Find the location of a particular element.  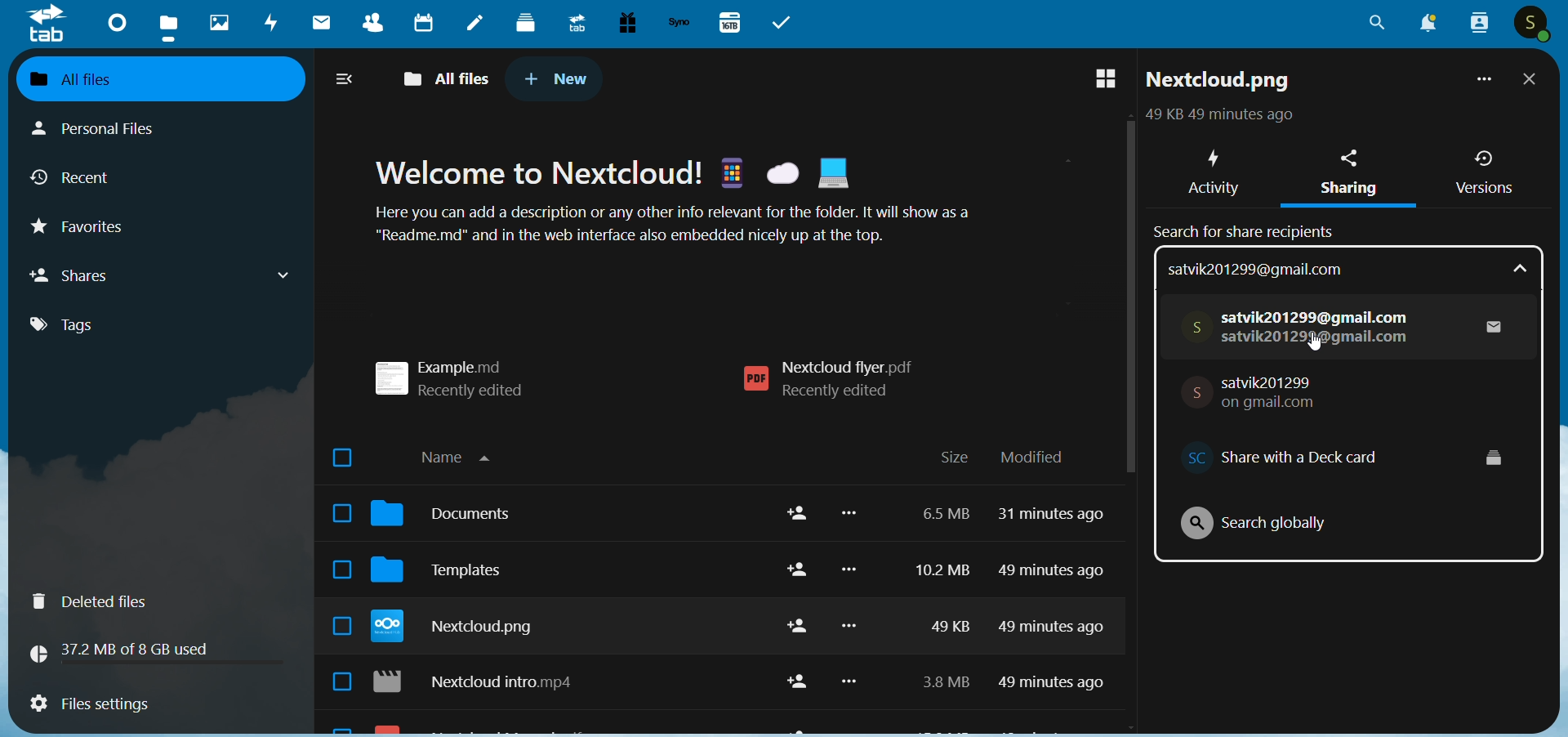

photos is located at coordinates (219, 23).